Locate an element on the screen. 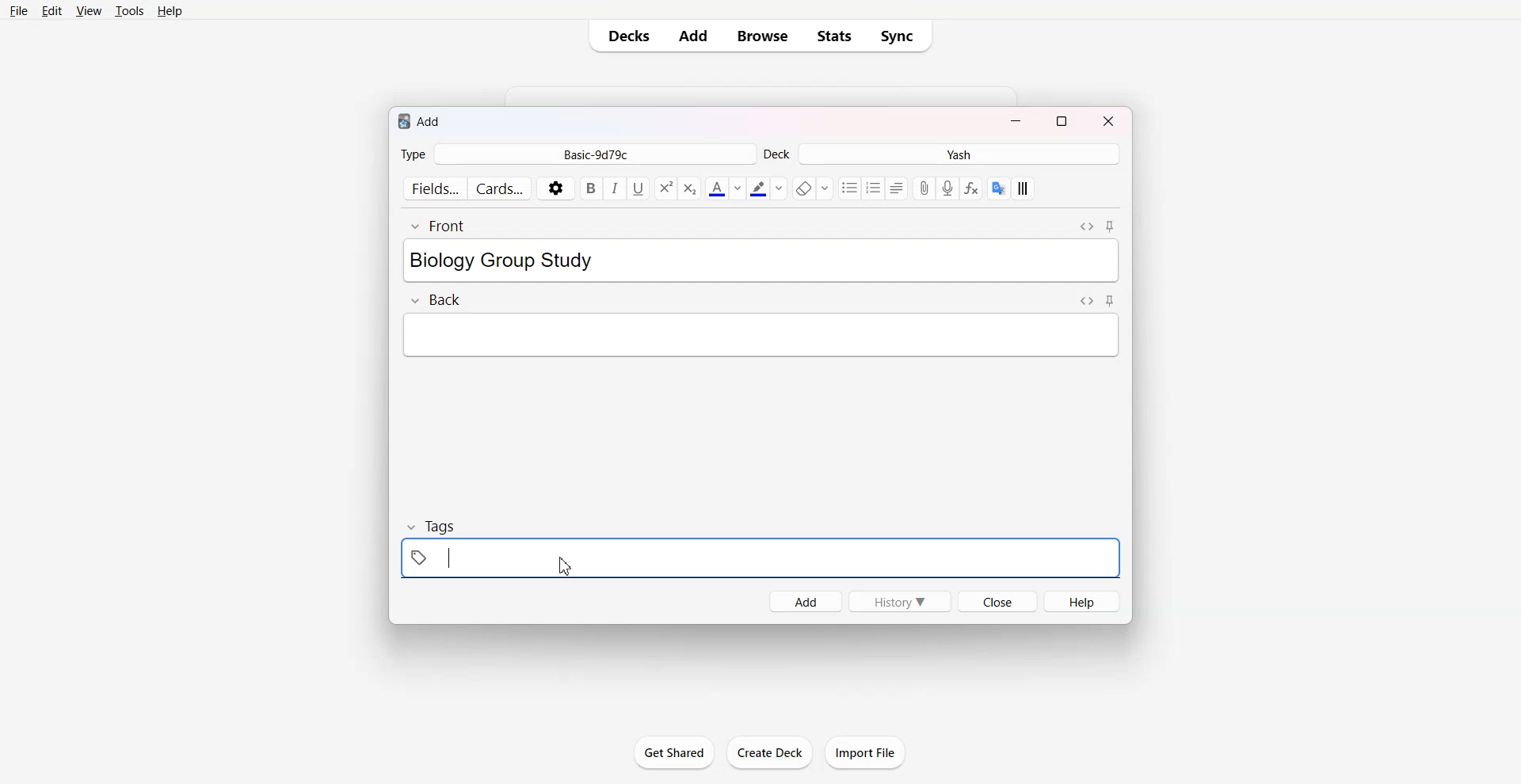 Image resolution: width=1521 pixels, height=784 pixels. Add is located at coordinates (804, 602).